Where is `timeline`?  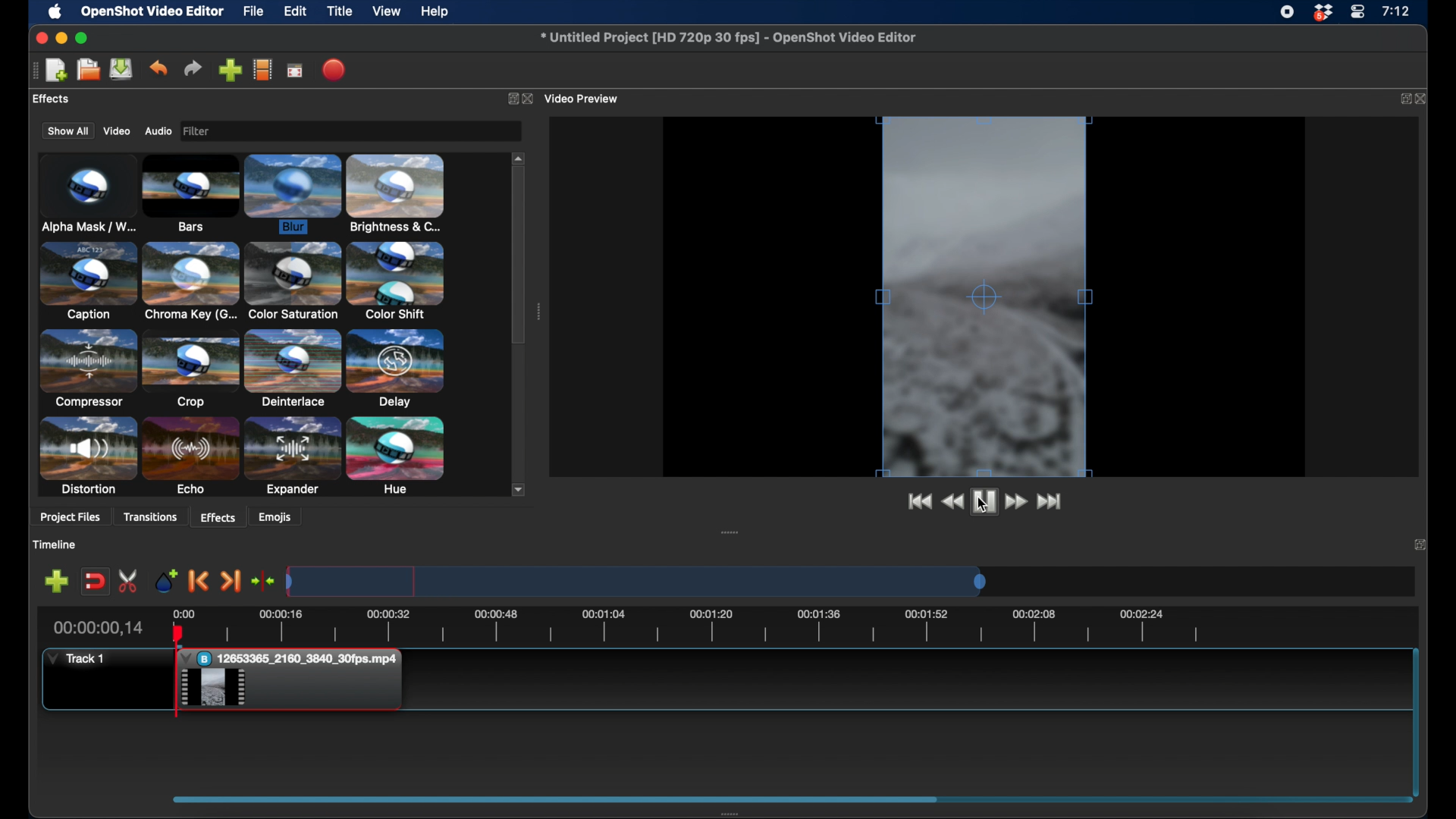
timeline is located at coordinates (707, 629).